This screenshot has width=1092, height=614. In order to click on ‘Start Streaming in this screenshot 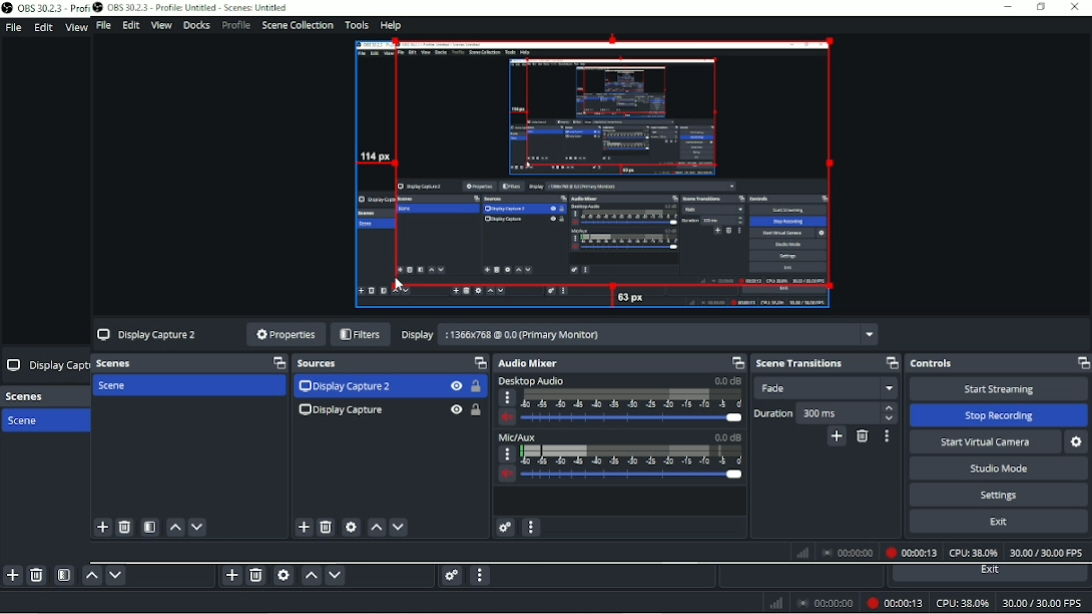, I will do `click(1000, 387)`.